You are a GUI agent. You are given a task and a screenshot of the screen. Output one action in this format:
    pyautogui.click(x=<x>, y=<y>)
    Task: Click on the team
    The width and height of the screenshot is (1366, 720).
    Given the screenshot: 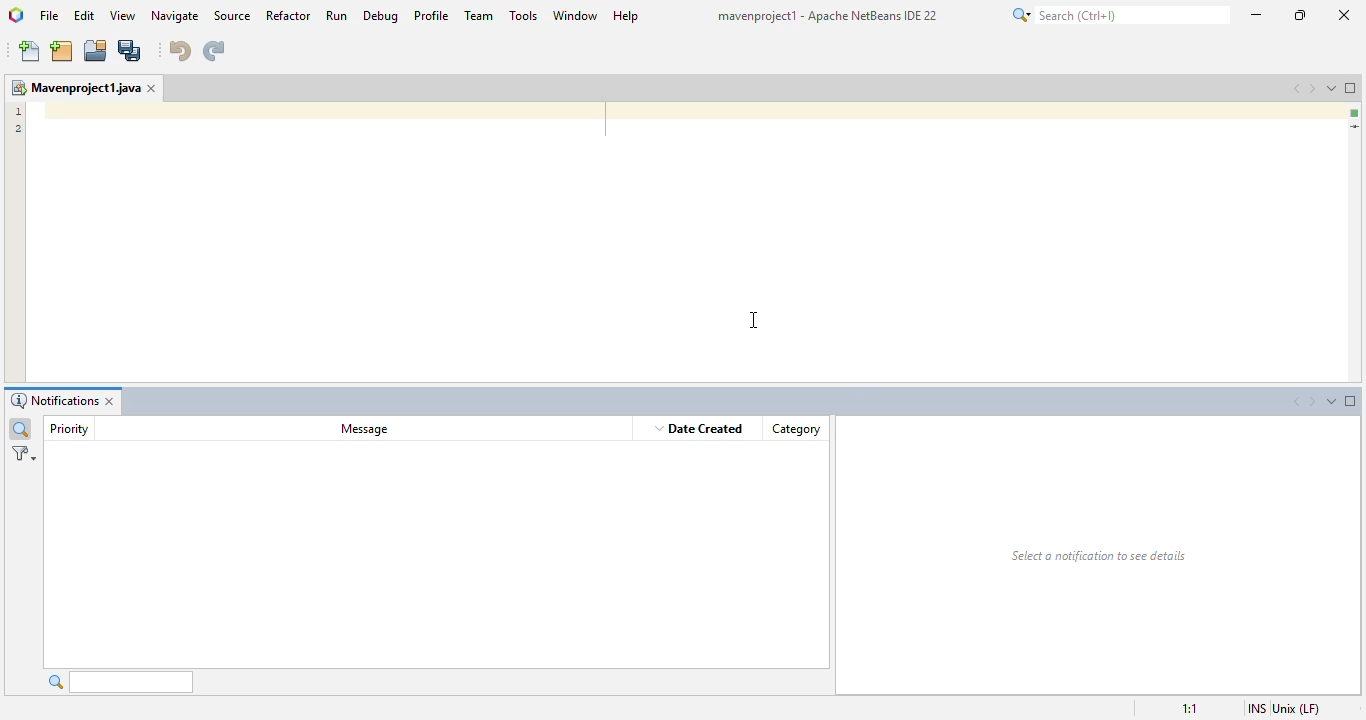 What is the action you would take?
    pyautogui.click(x=479, y=15)
    